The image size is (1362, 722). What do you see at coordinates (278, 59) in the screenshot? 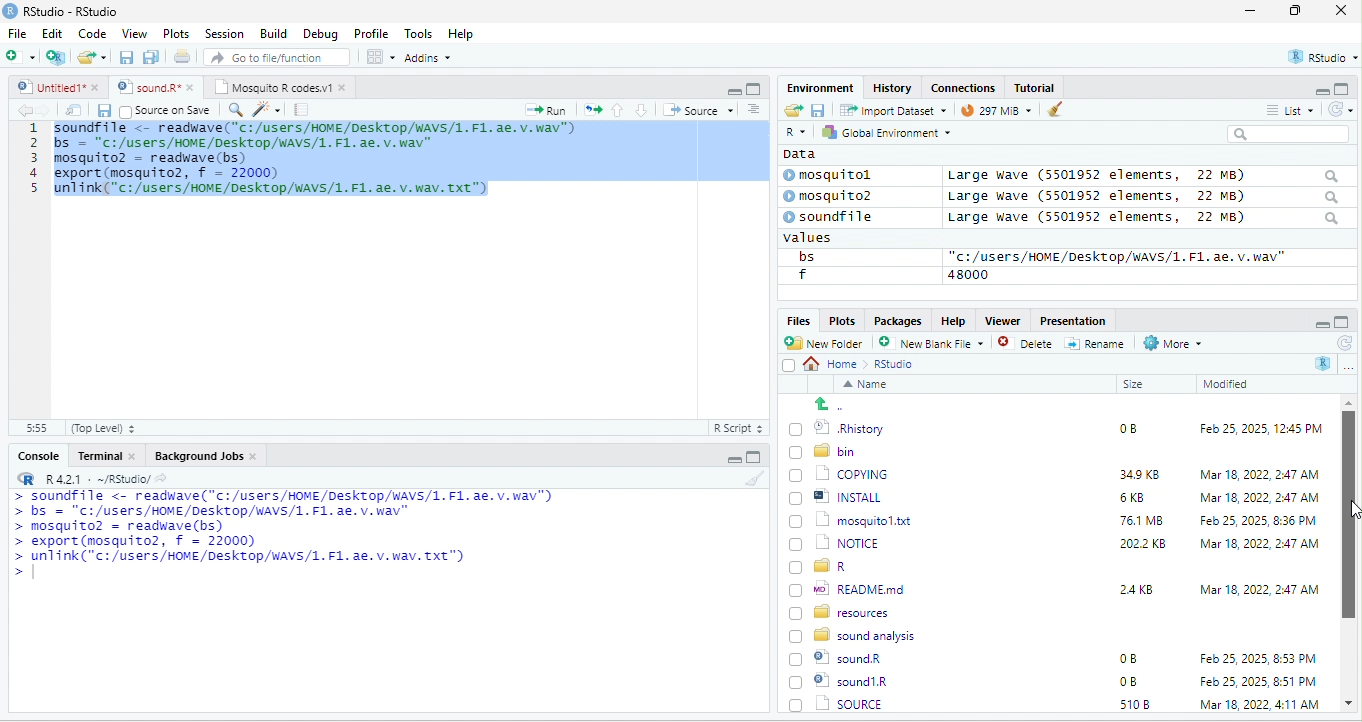
I see `” Go to file/function` at bounding box center [278, 59].